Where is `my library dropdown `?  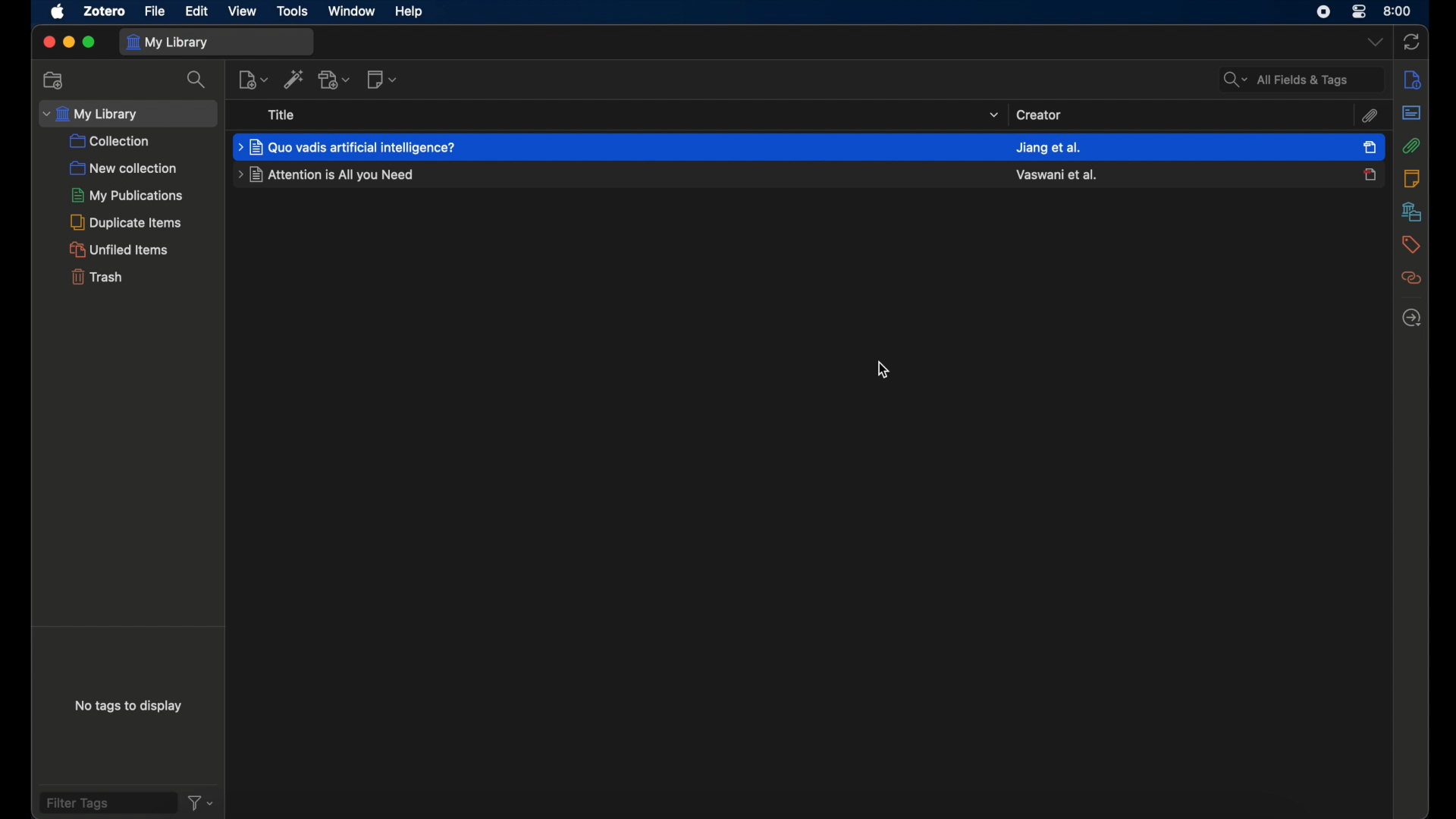
my library dropdown  is located at coordinates (127, 114).